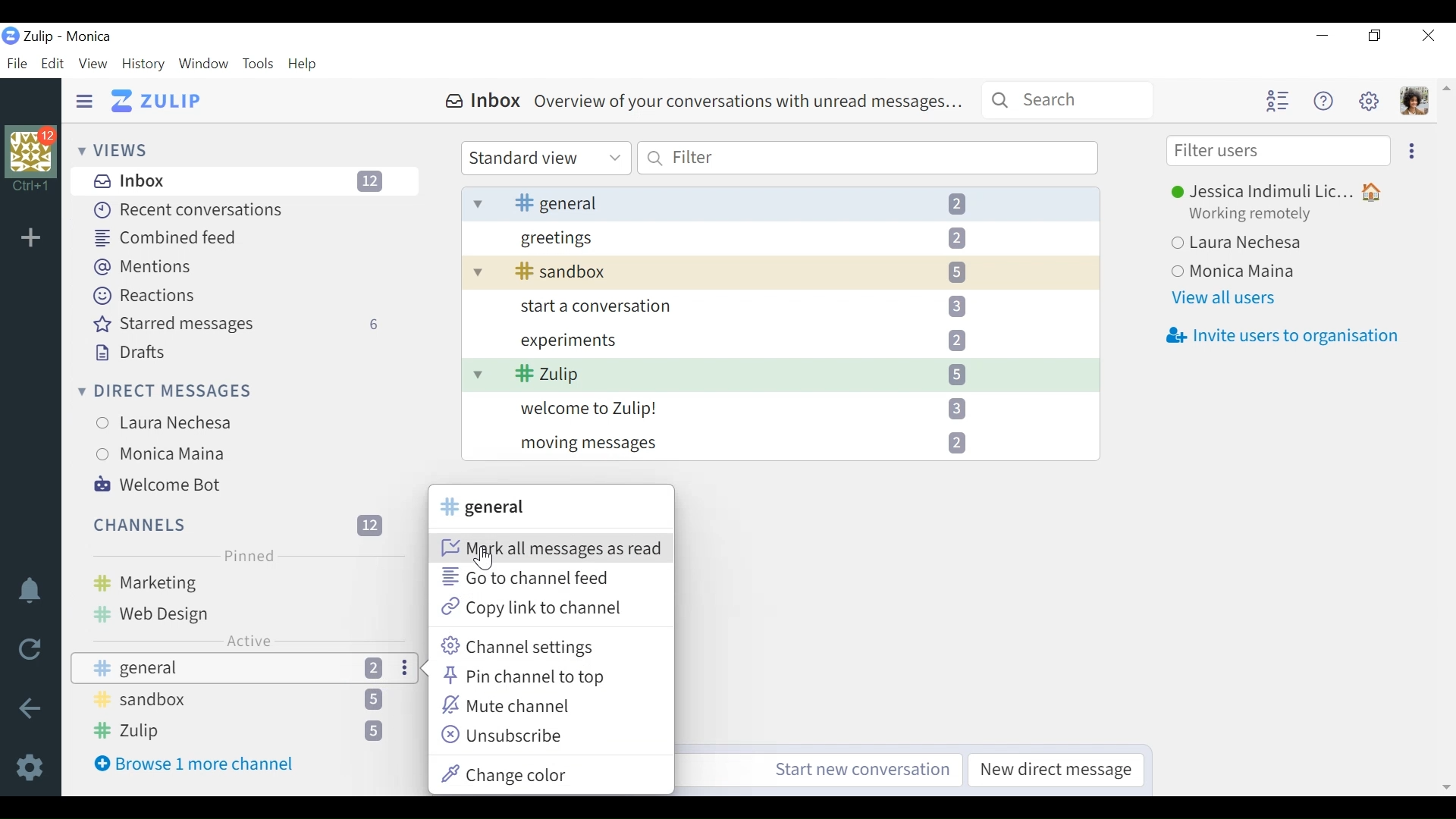 Image resolution: width=1456 pixels, height=819 pixels. Describe the element at coordinates (240, 732) in the screenshot. I see `Zulip 5` at that location.